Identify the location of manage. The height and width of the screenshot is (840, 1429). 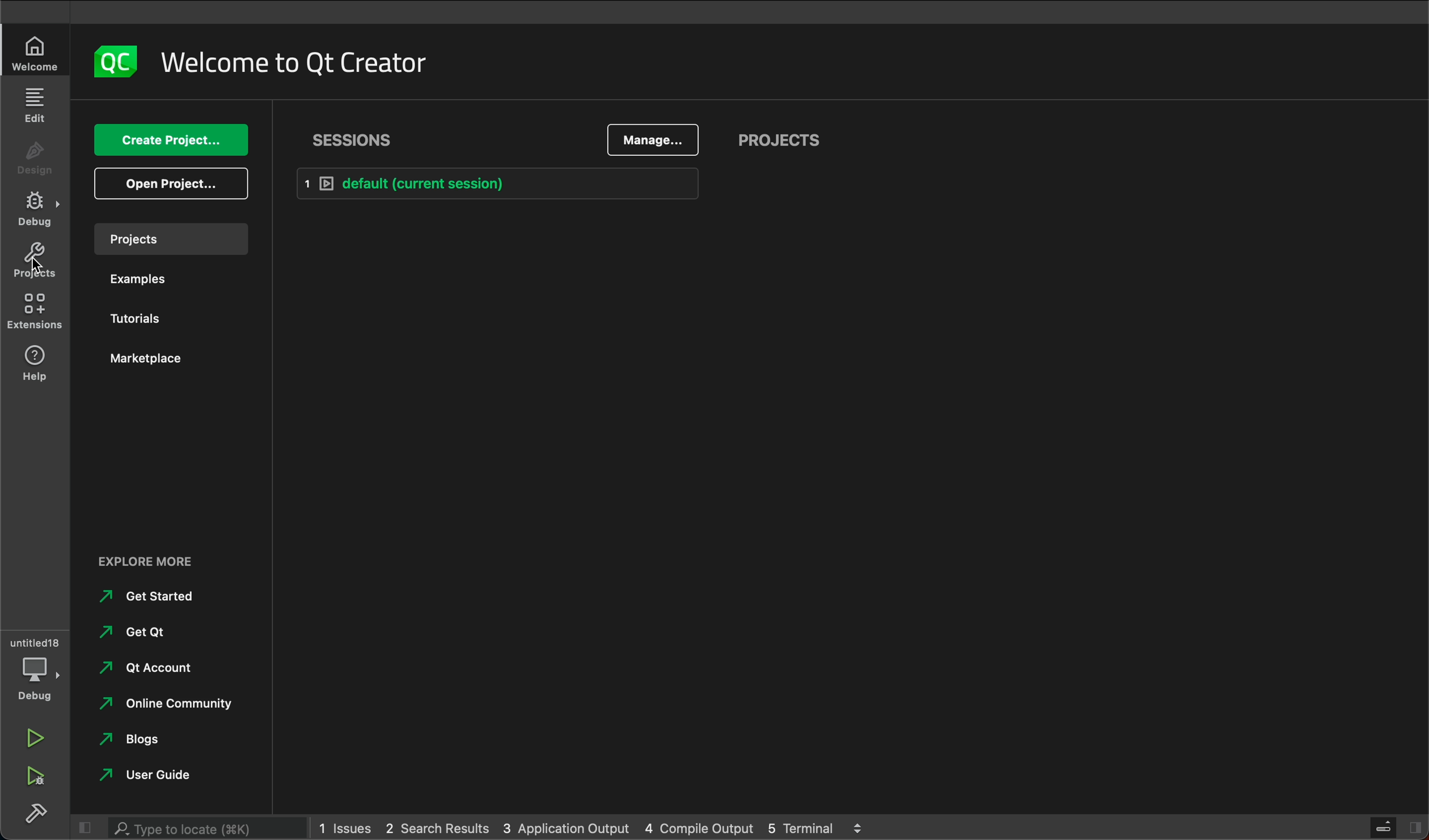
(652, 141).